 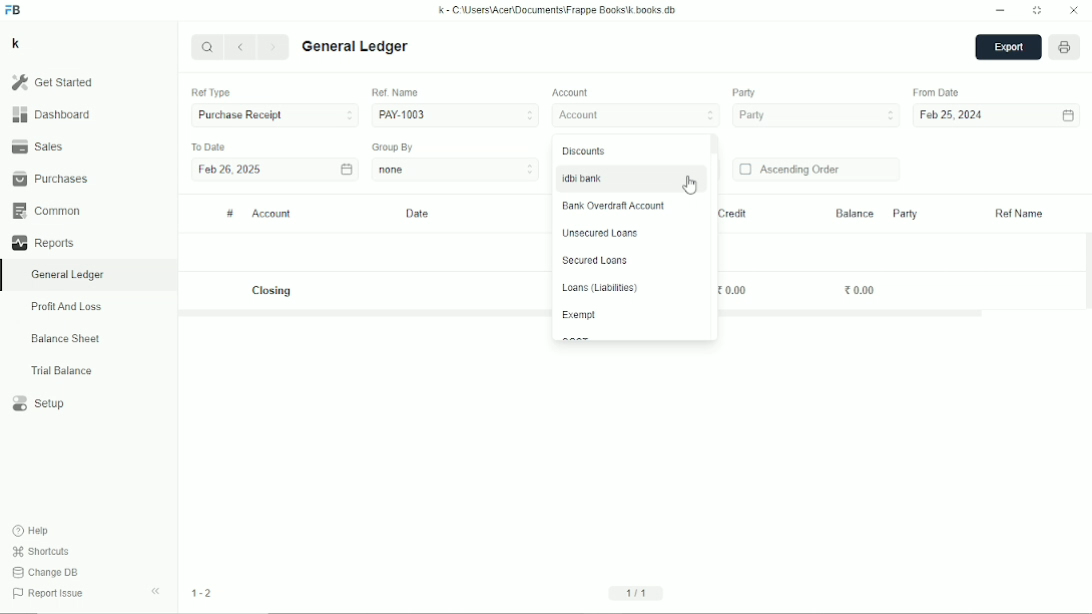 I want to click on 0.00, so click(x=860, y=289).